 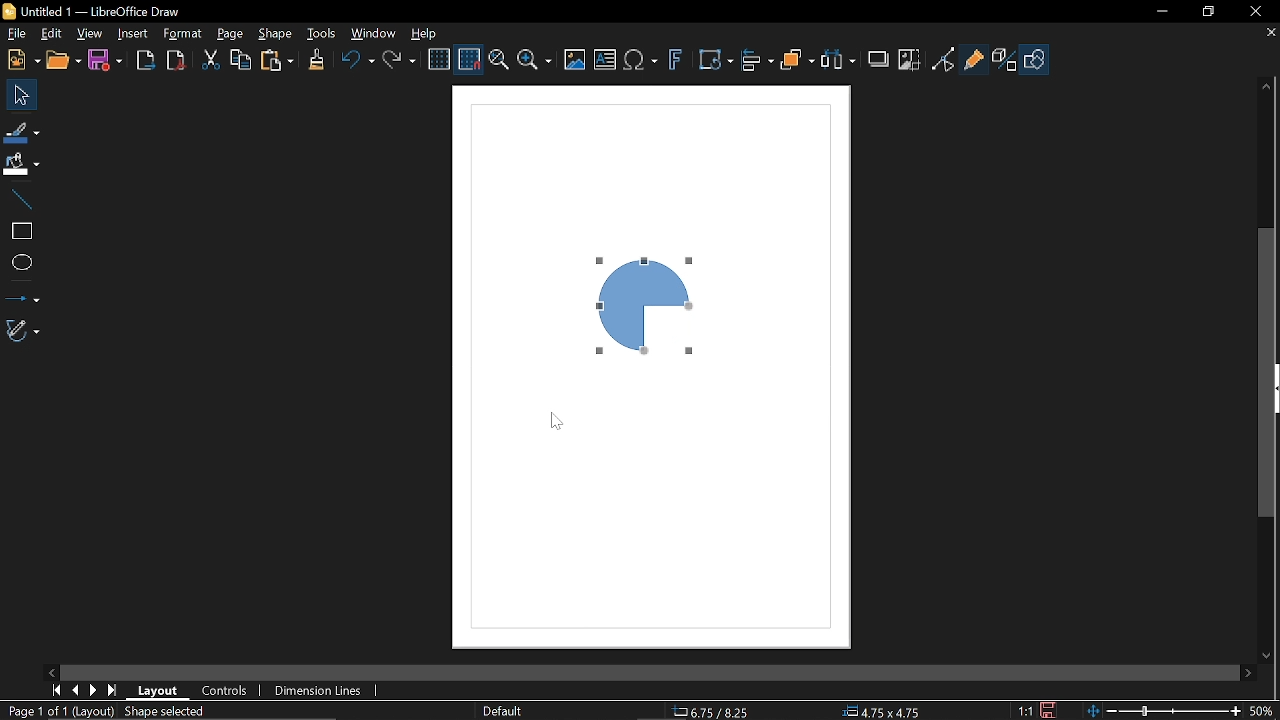 I want to click on Previous page, so click(x=75, y=690).